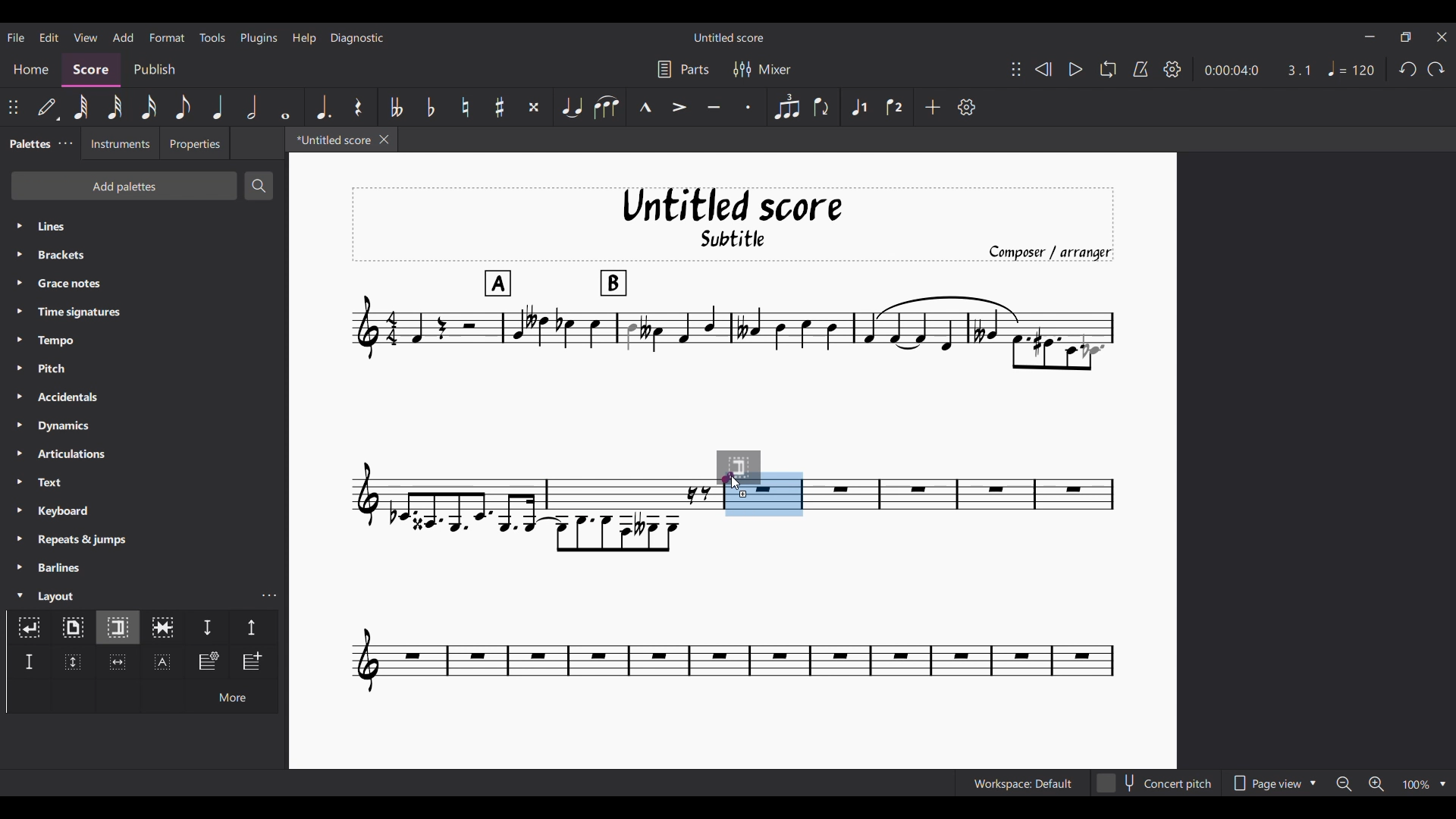 The height and width of the screenshot is (819, 1456). Describe the element at coordinates (145, 312) in the screenshot. I see `Time signatures` at that location.